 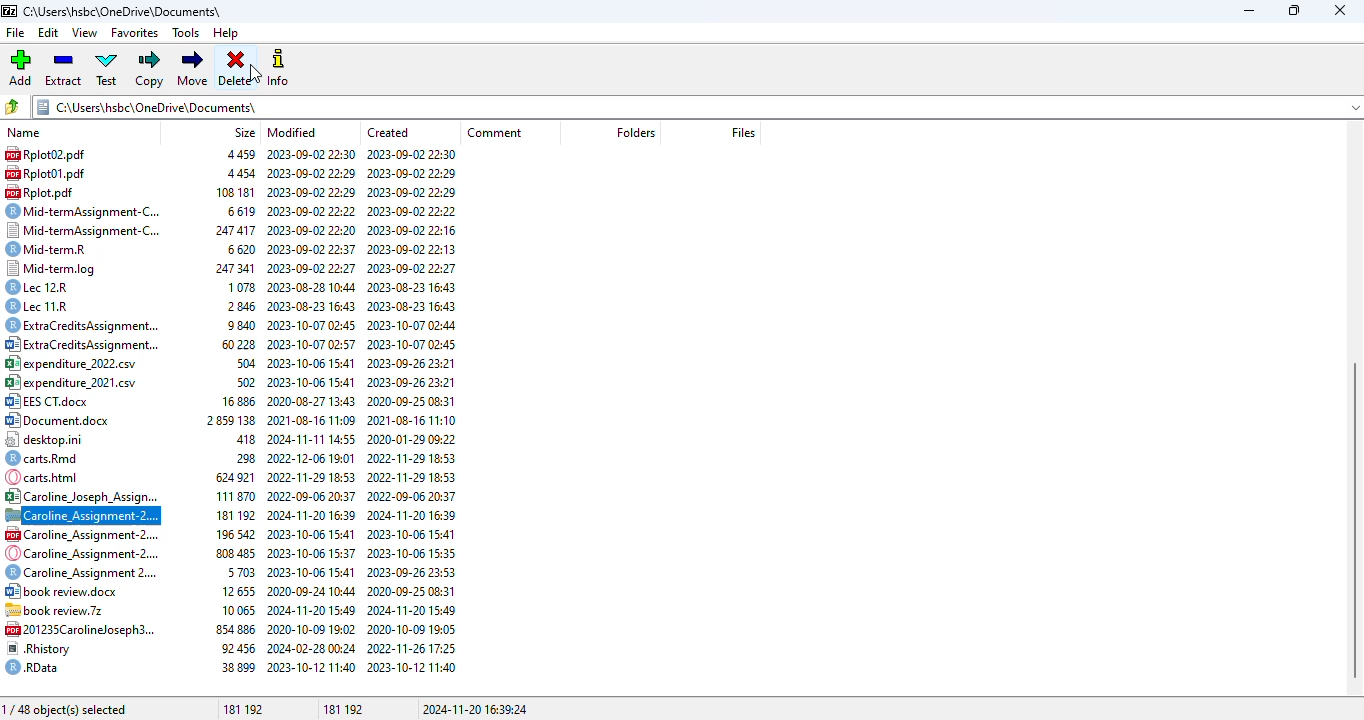 I want to click on  Rplot.pdf, so click(x=43, y=191).